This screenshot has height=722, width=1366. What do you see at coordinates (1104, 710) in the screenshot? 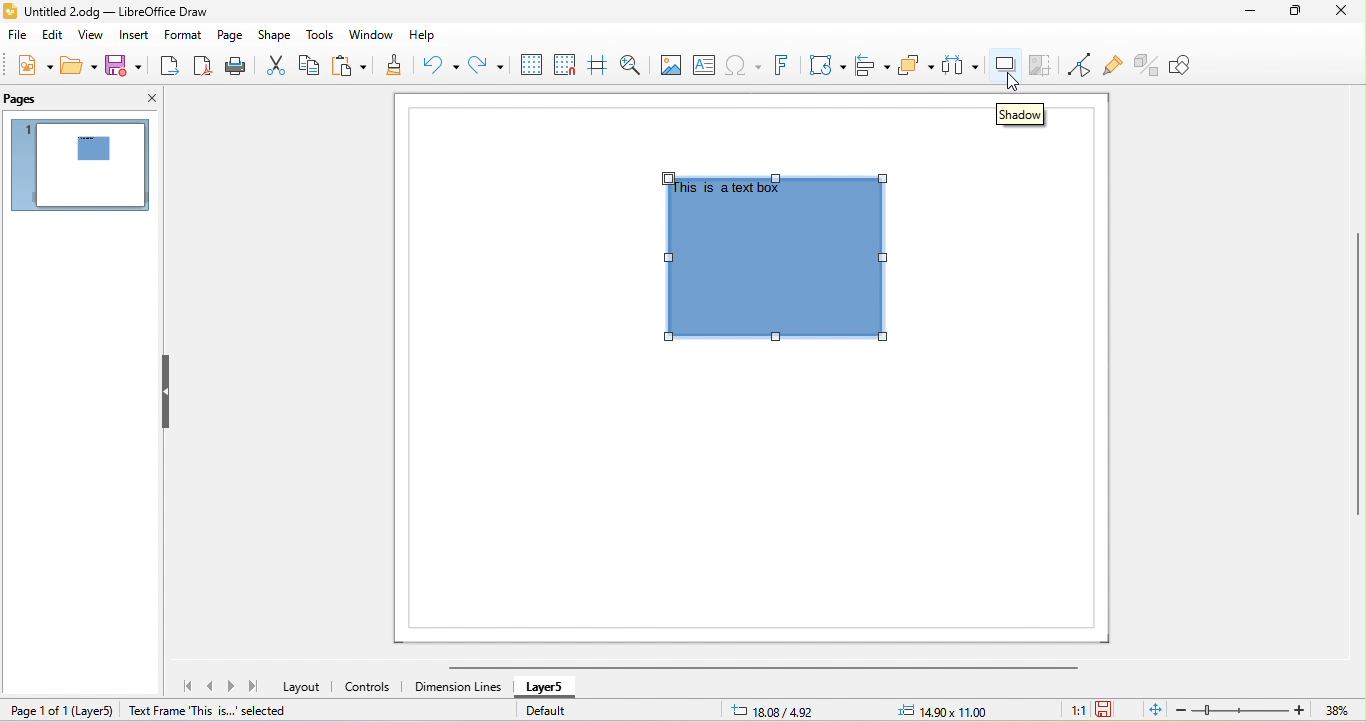
I see `click to save the document` at bounding box center [1104, 710].